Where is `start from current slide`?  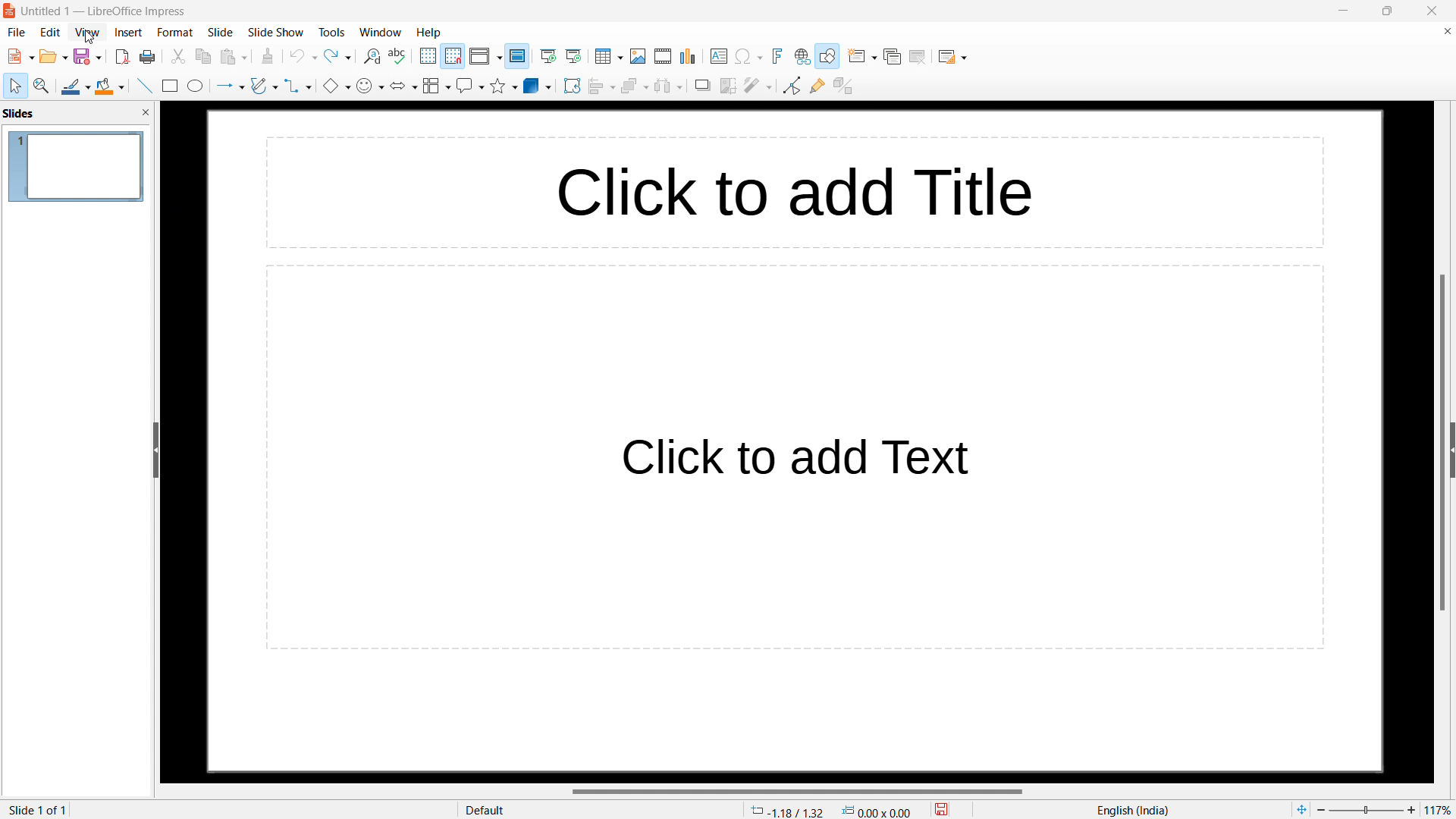
start from current slide is located at coordinates (574, 56).